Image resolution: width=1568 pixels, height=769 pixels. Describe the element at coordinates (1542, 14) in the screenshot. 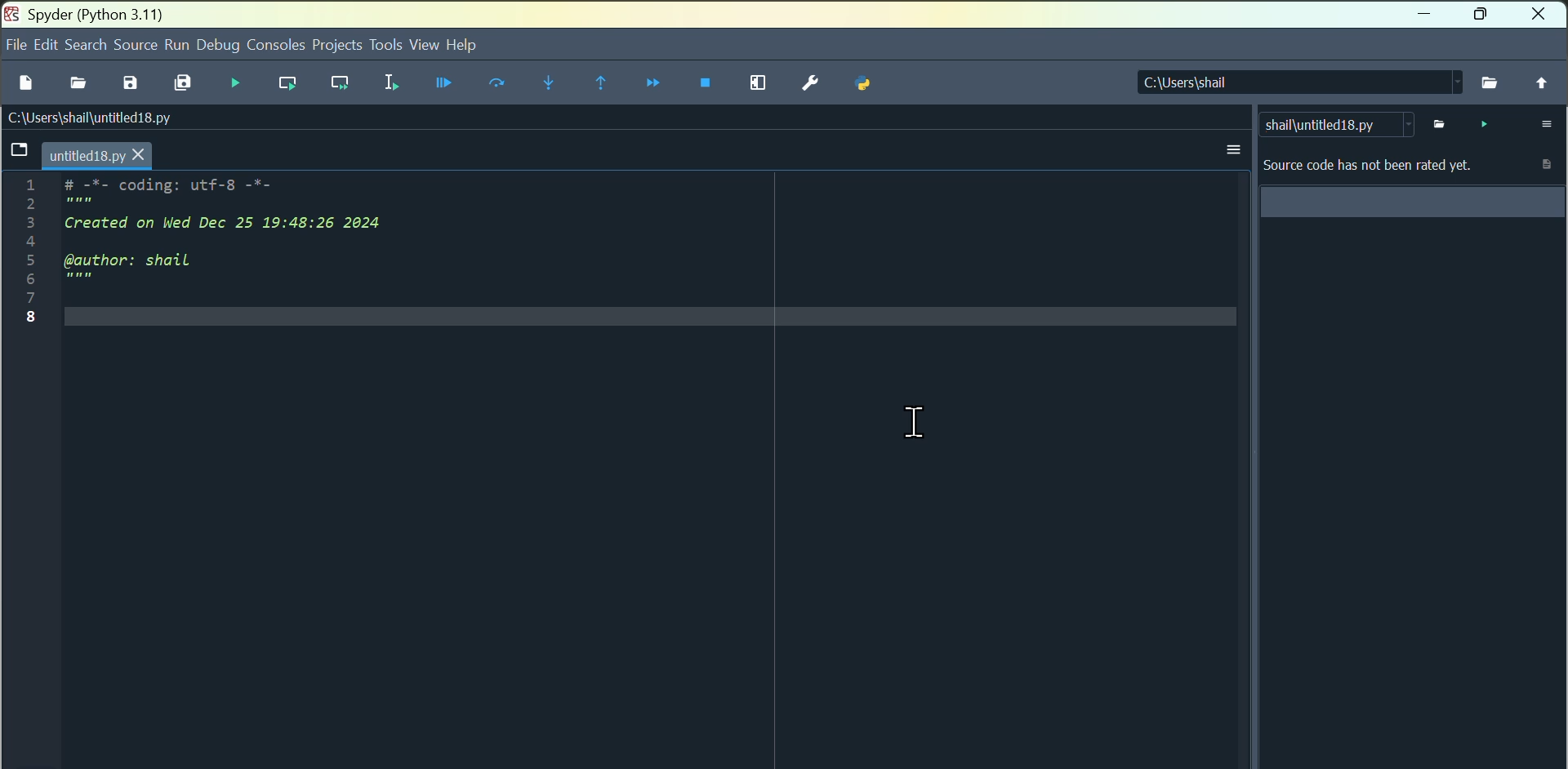

I see `Close` at that location.